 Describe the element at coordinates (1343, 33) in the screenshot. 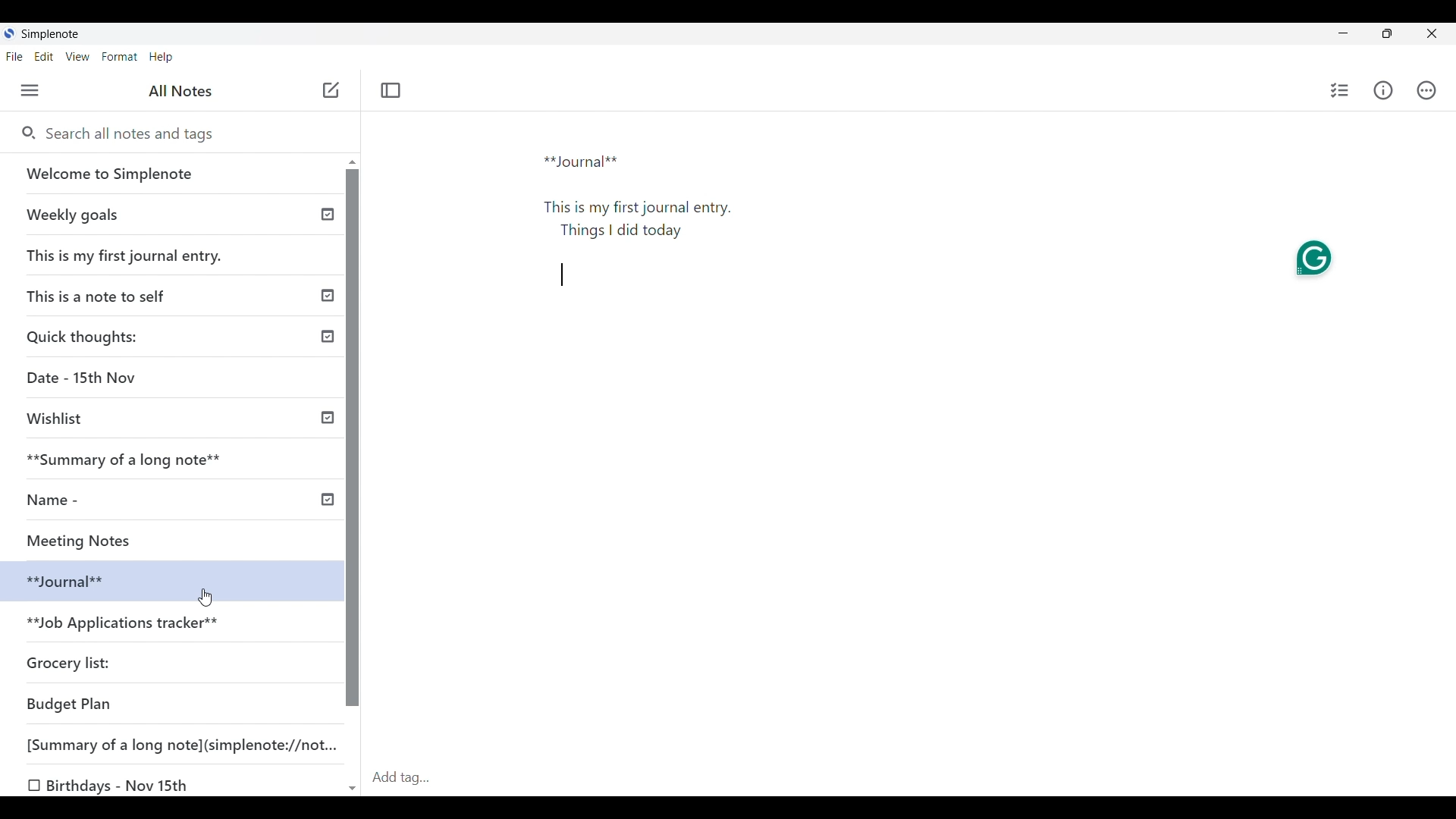

I see `Minimize` at that location.